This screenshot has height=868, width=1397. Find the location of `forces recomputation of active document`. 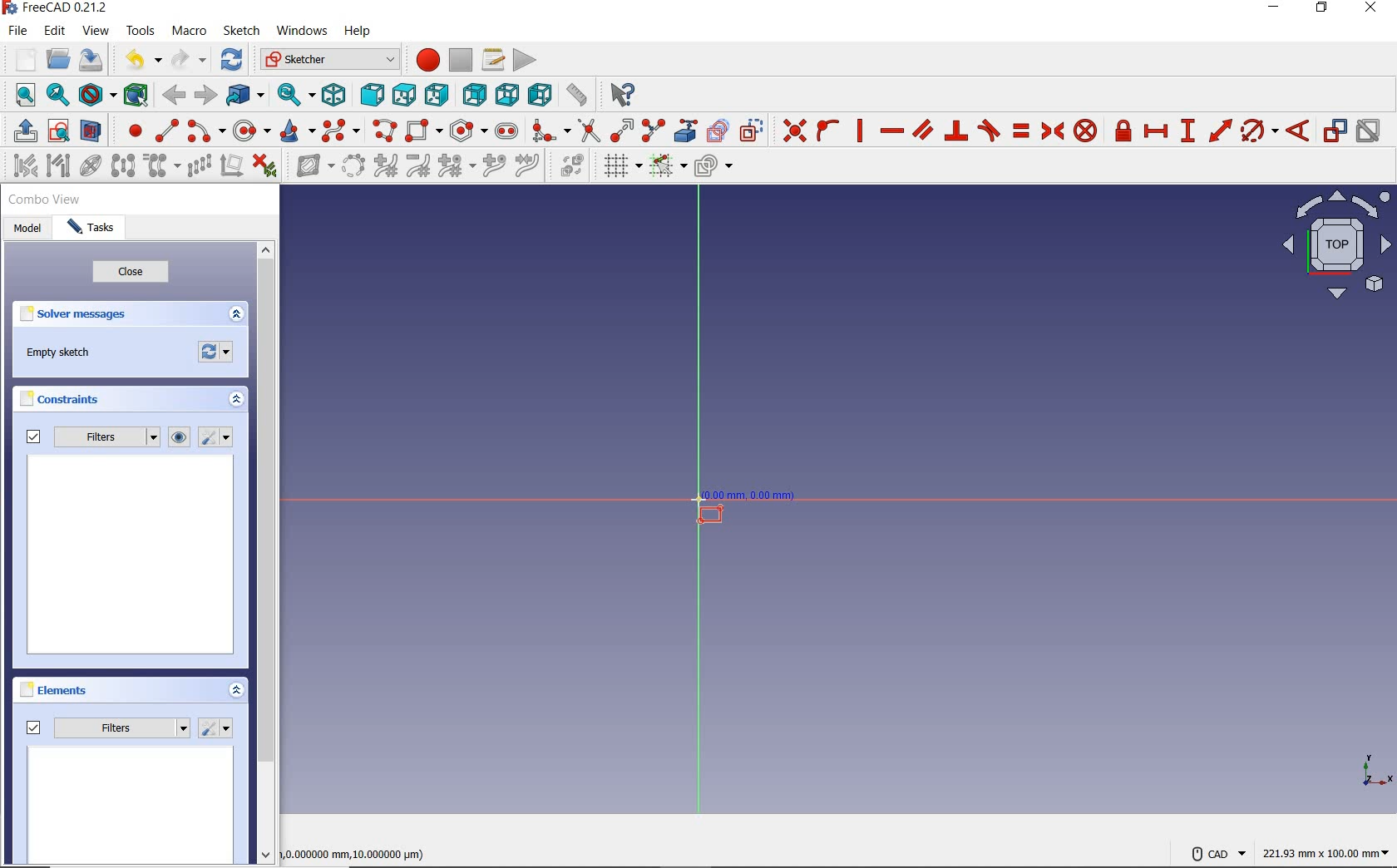

forces recomputation of active document is located at coordinates (217, 355).